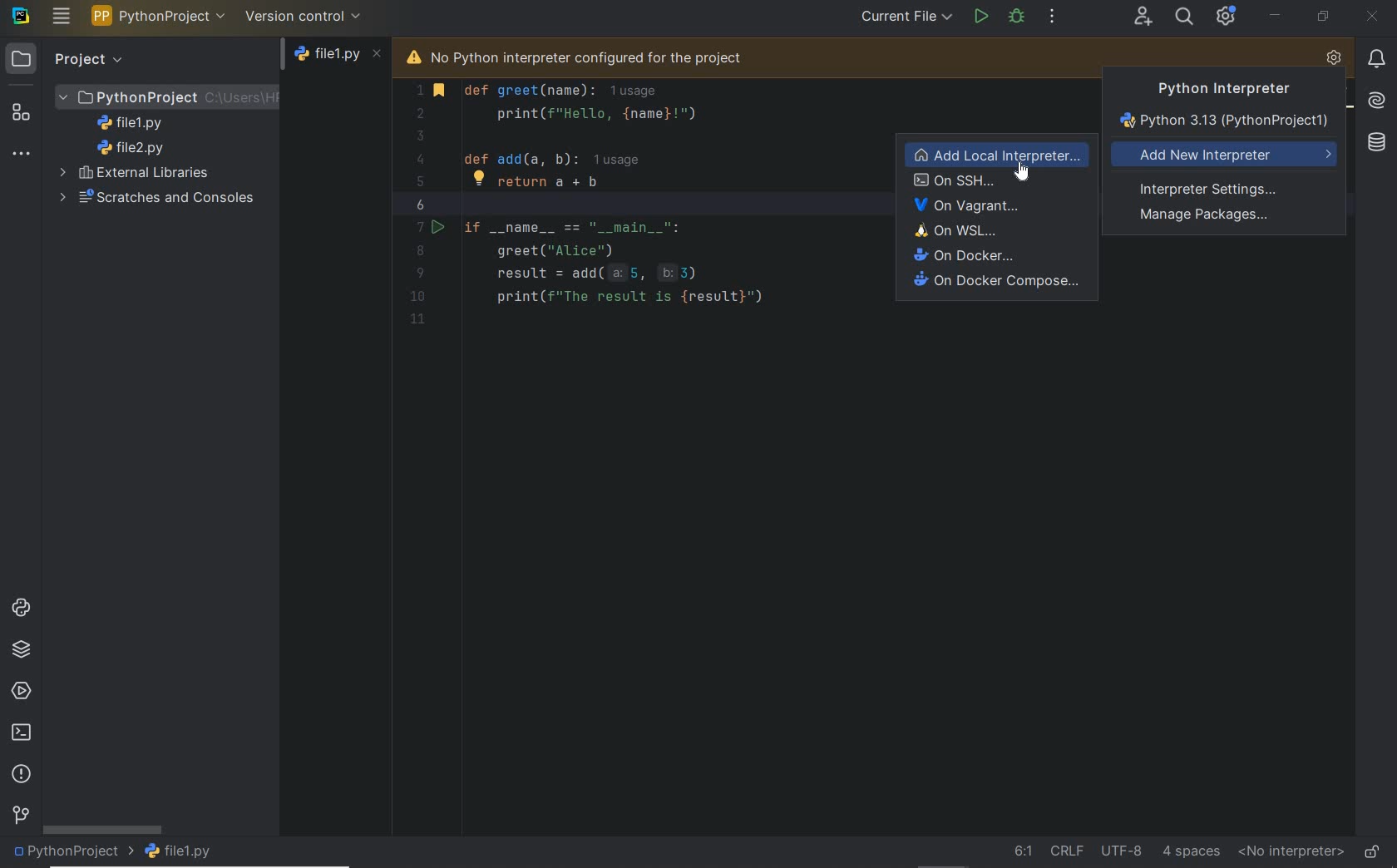  I want to click on search everywhere, so click(1185, 16).